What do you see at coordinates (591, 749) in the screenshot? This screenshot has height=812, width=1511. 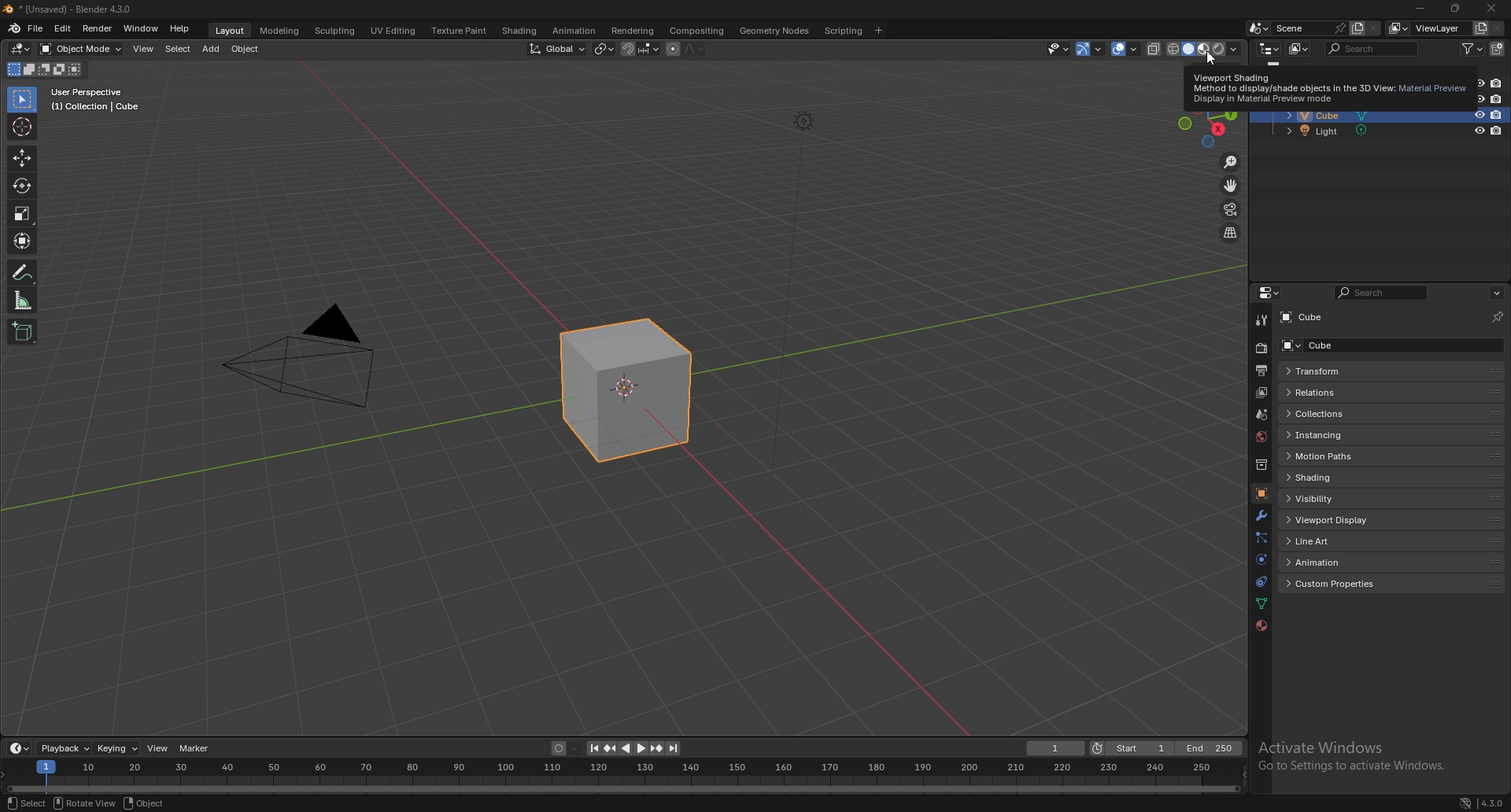 I see `jump to first frame` at bounding box center [591, 749].